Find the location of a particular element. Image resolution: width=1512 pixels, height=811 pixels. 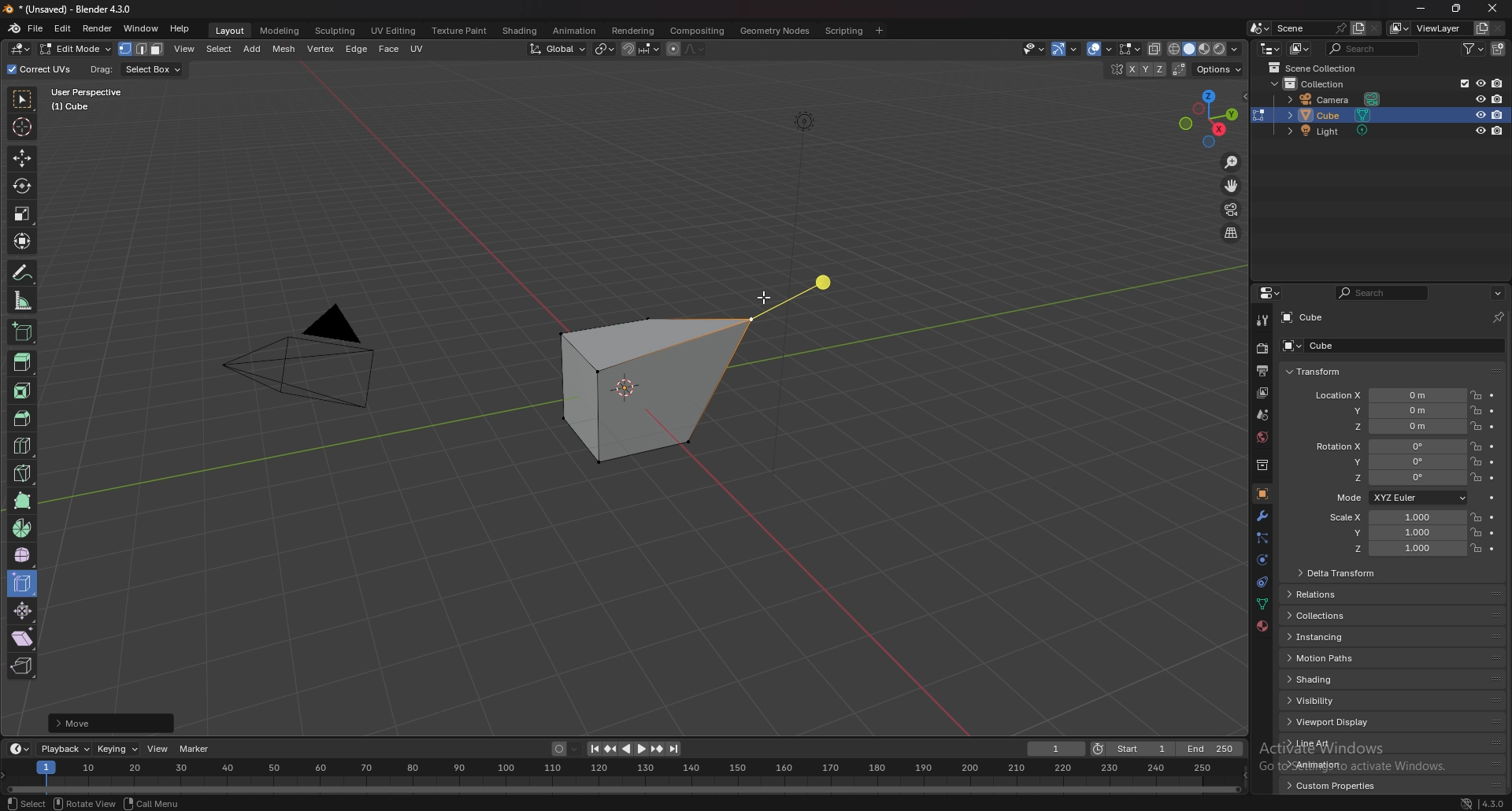

location x is located at coordinates (1385, 395).